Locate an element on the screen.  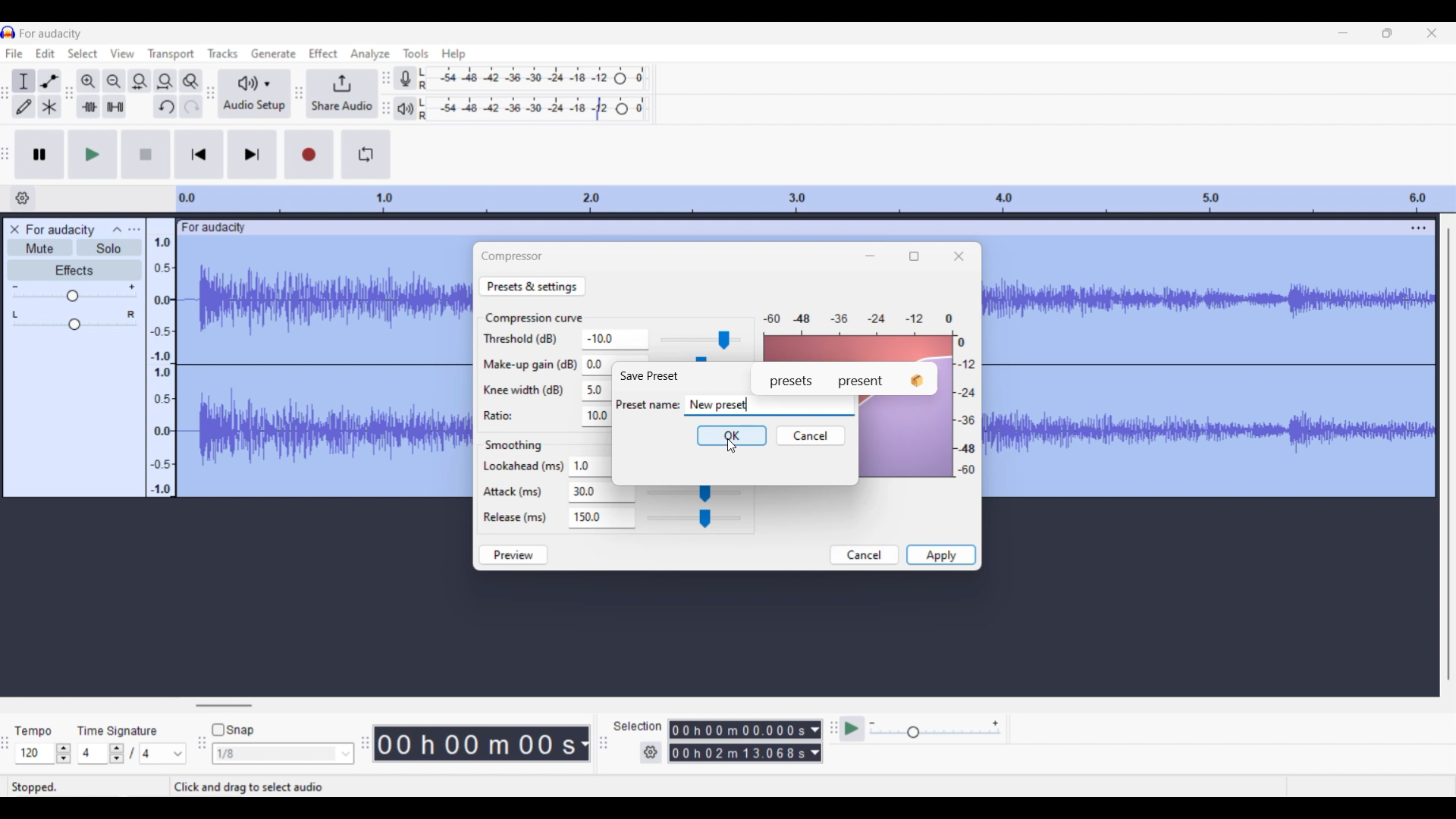
Indicates text box for preset name is located at coordinates (648, 404).